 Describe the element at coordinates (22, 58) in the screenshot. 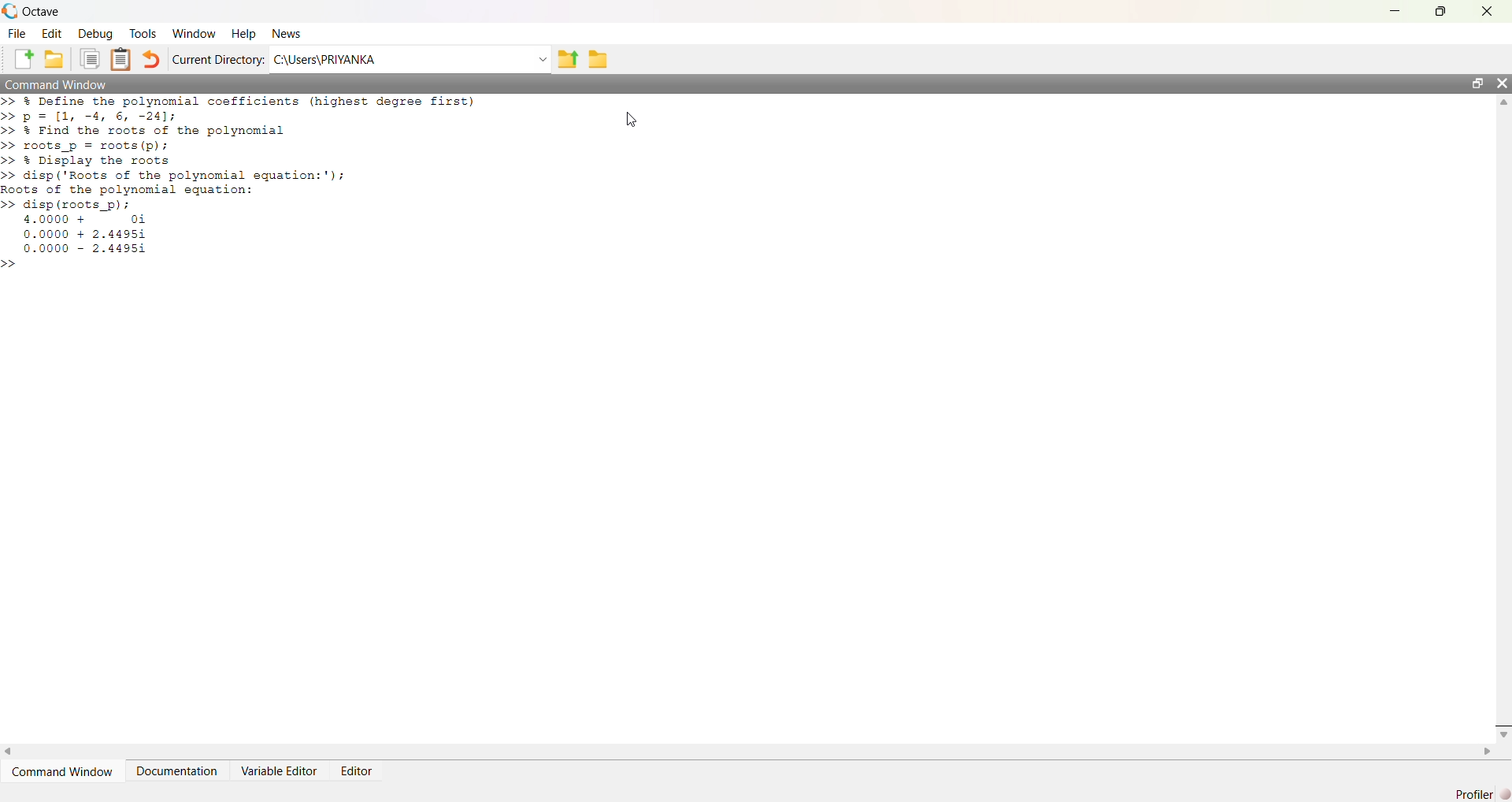

I see `Create a new file` at that location.